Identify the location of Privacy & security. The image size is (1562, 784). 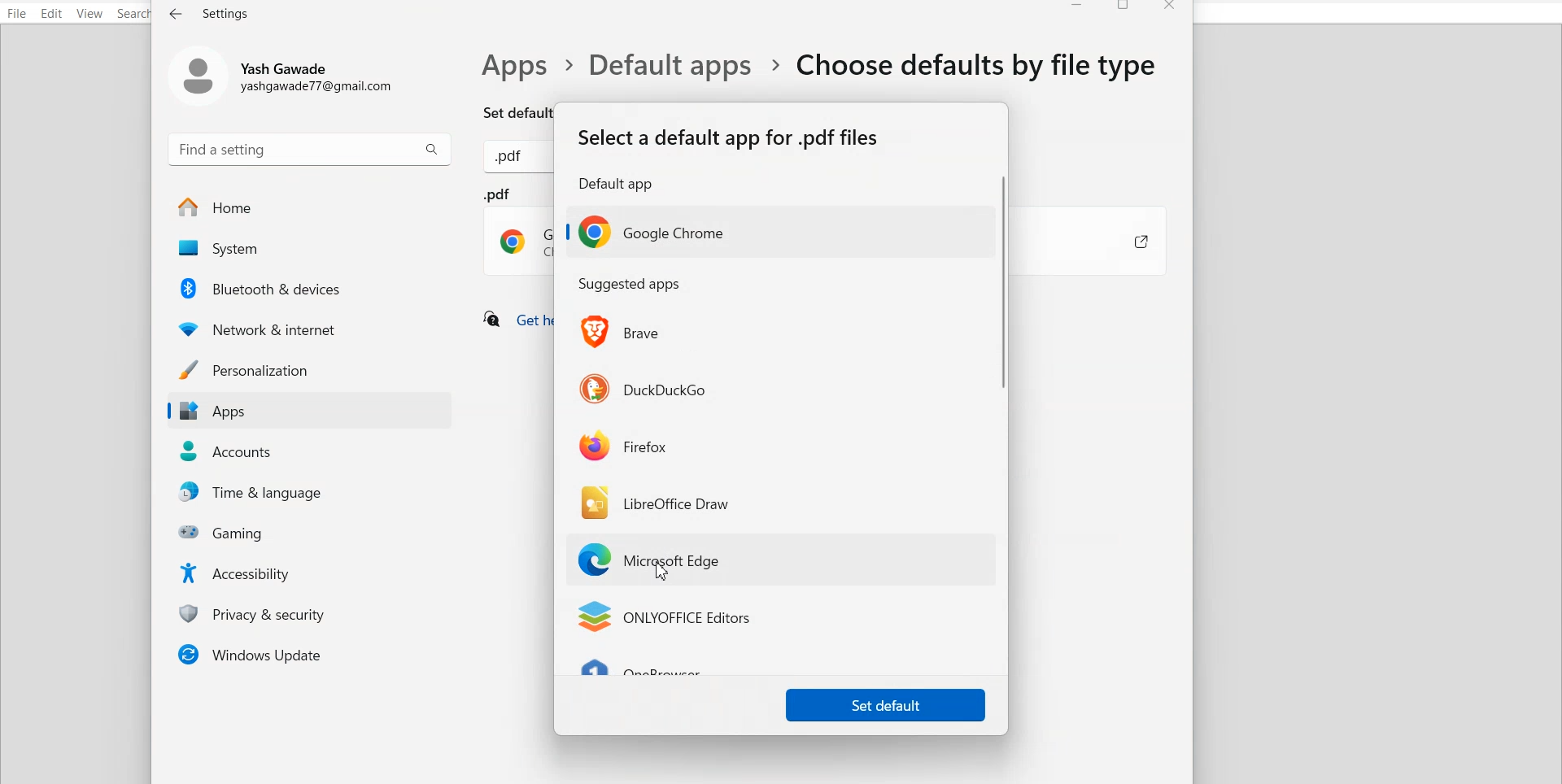
(314, 613).